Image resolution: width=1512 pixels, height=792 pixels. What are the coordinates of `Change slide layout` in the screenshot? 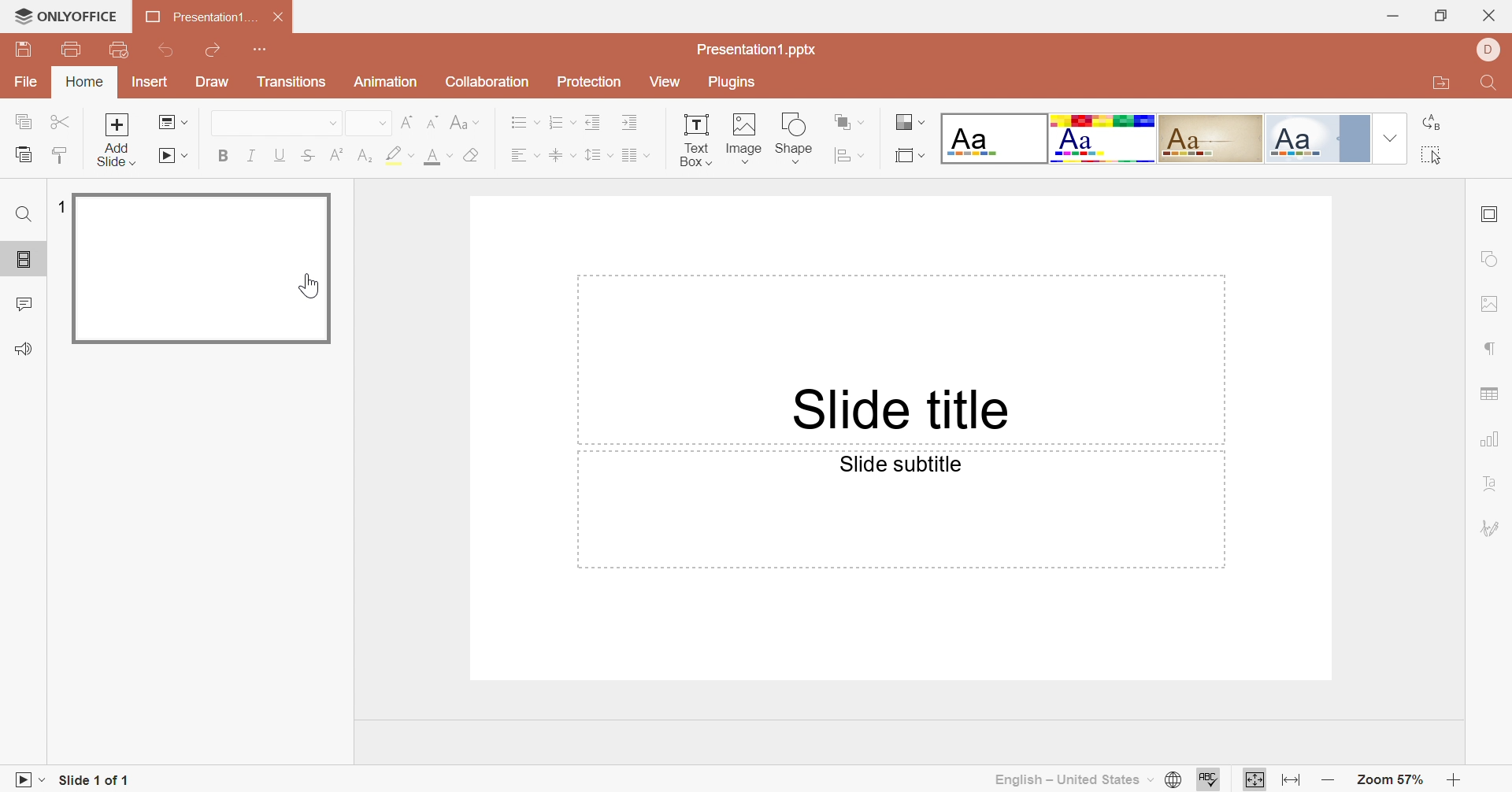 It's located at (161, 121).